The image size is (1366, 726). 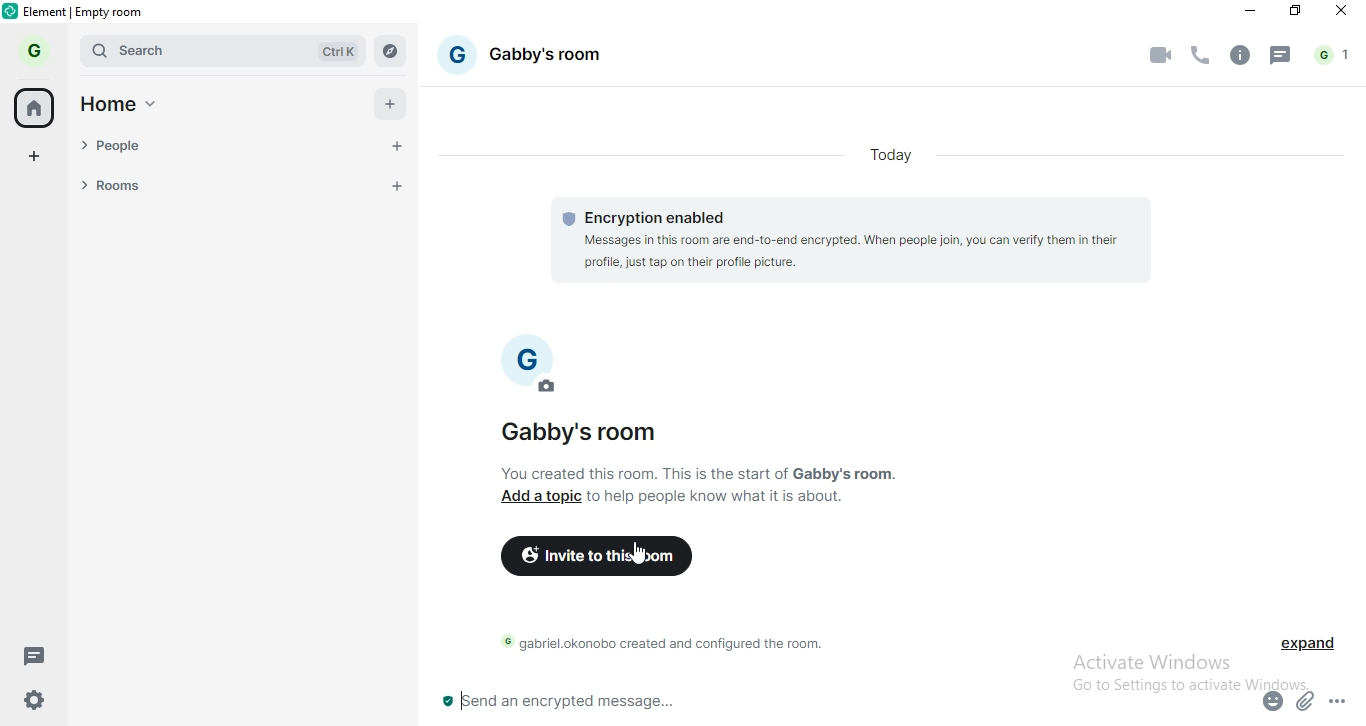 I want to click on notification, so click(x=1334, y=55).